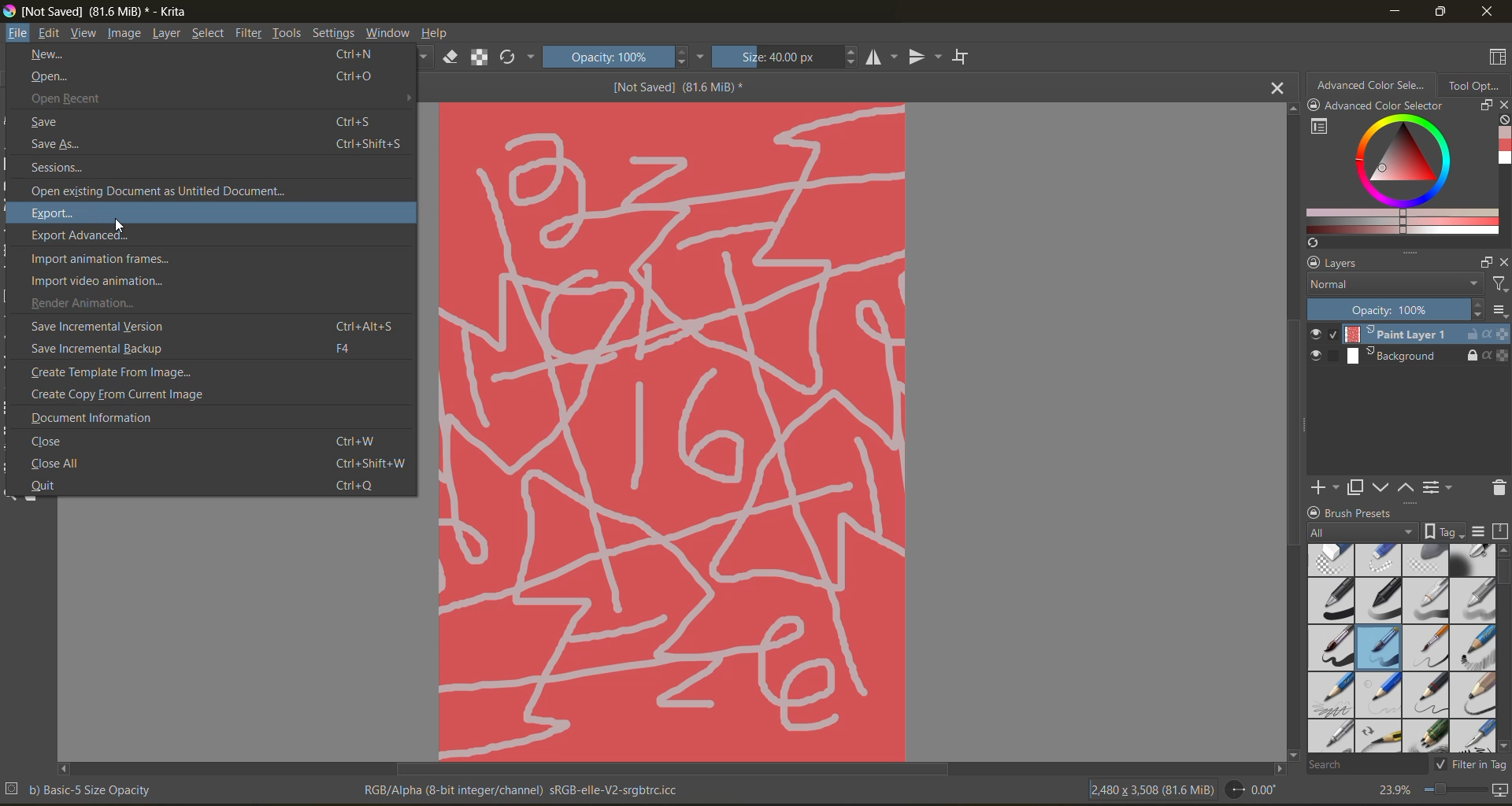 The height and width of the screenshot is (806, 1512). What do you see at coordinates (1279, 87) in the screenshot?
I see `close tab` at bounding box center [1279, 87].